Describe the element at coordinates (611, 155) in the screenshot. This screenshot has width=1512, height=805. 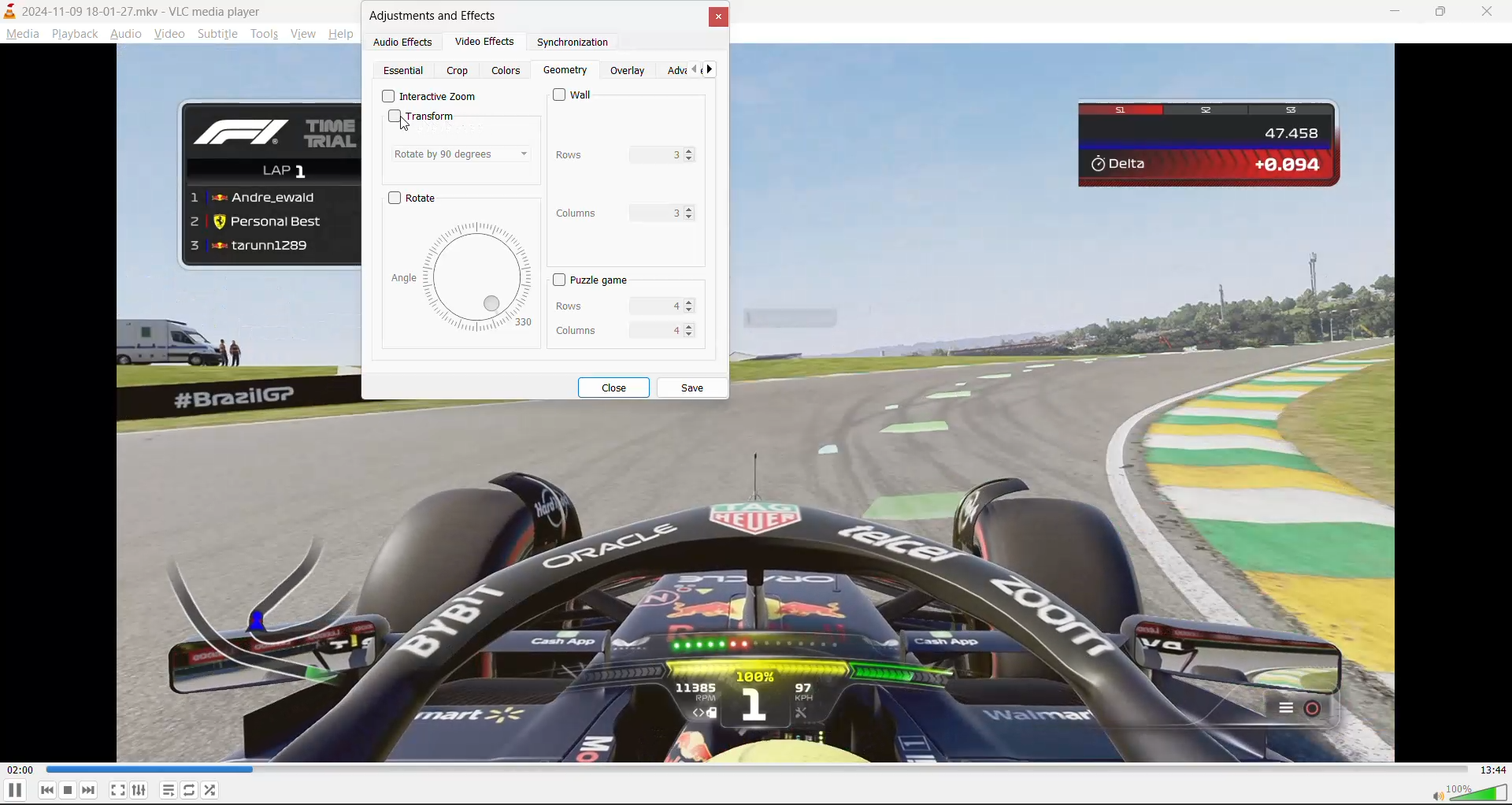
I see `rows` at that location.